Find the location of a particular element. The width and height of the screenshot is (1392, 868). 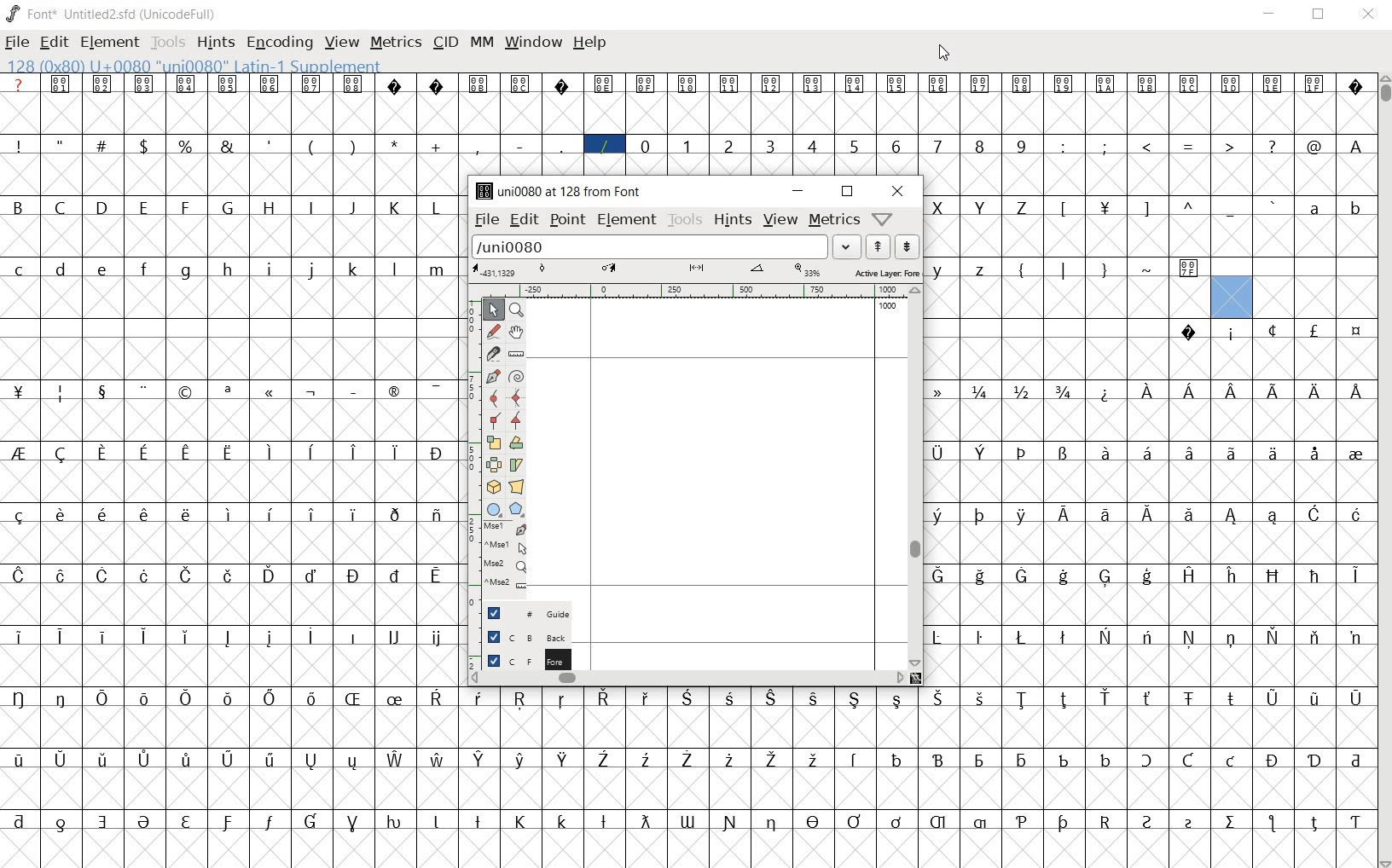

glyph is located at coordinates (604, 822).